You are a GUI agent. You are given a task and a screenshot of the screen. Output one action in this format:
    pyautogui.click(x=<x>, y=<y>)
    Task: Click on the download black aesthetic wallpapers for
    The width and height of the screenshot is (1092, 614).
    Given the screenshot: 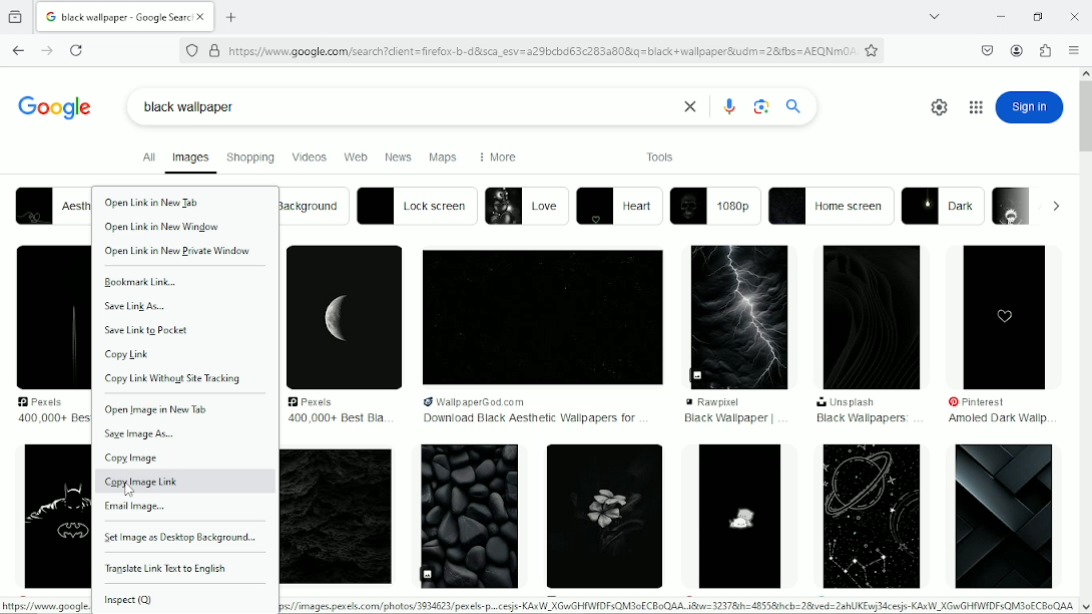 What is the action you would take?
    pyautogui.click(x=529, y=419)
    